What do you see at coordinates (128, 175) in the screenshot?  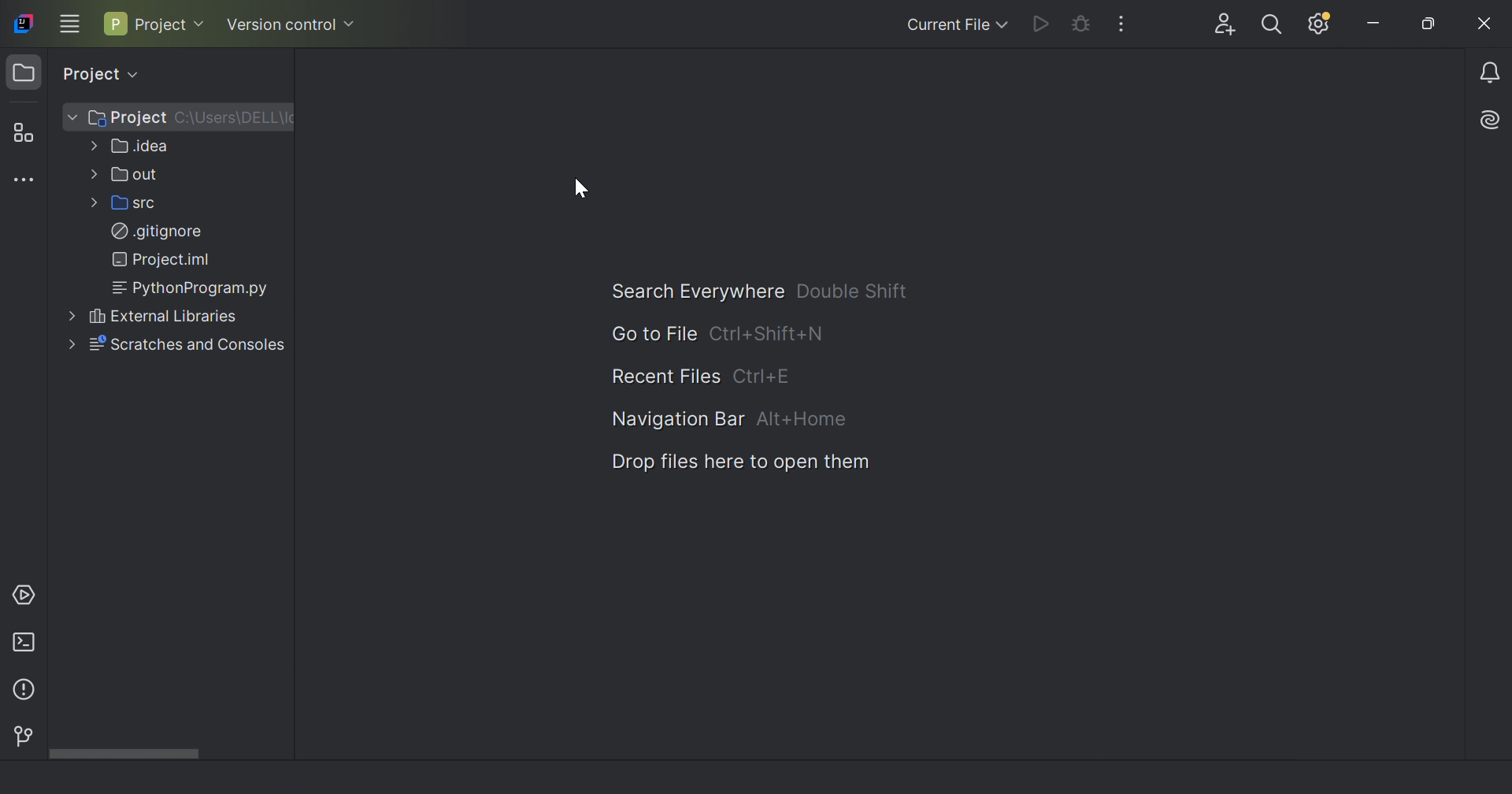 I see `out` at bounding box center [128, 175].